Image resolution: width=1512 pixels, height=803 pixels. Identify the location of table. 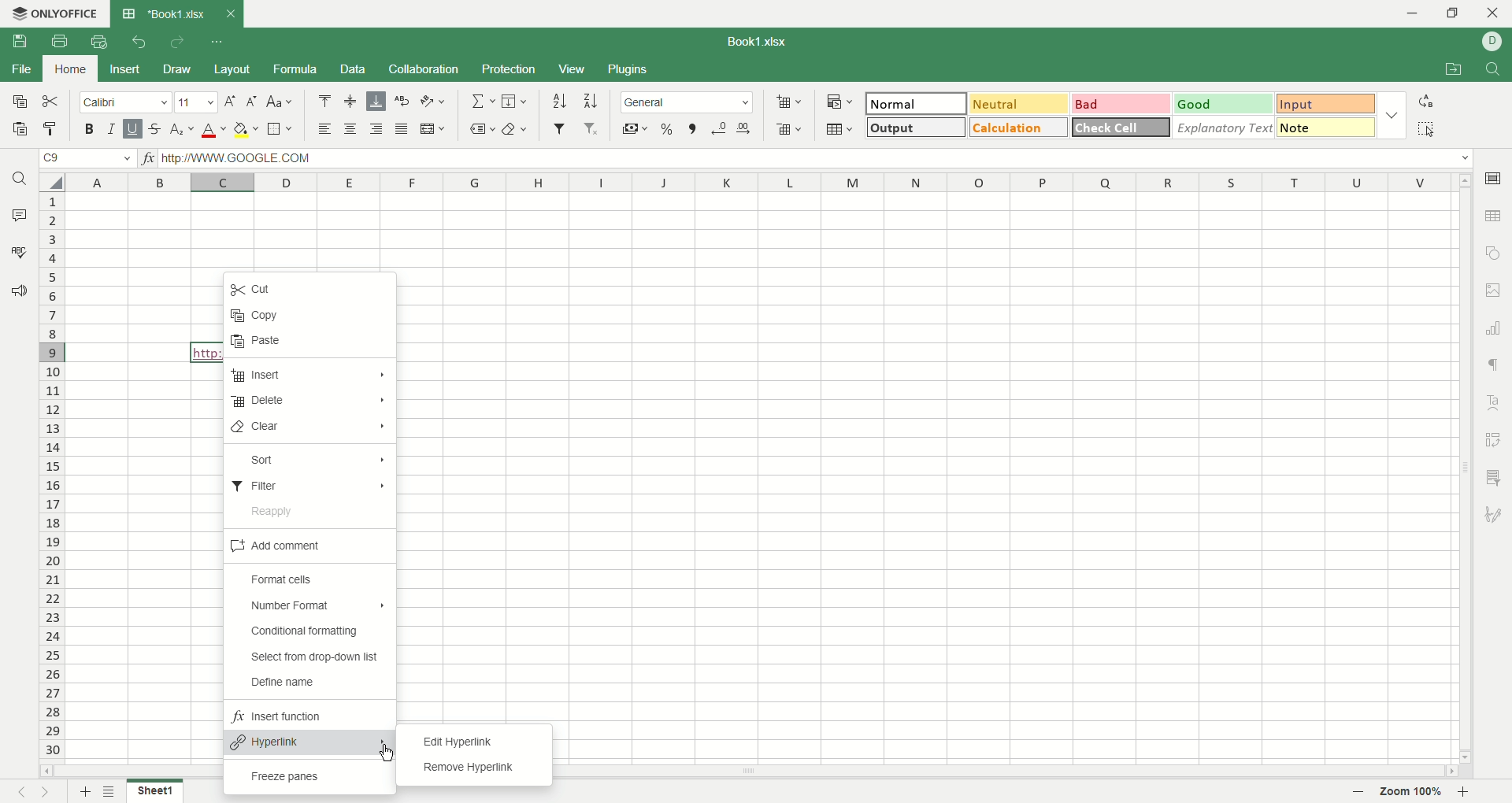
(840, 128).